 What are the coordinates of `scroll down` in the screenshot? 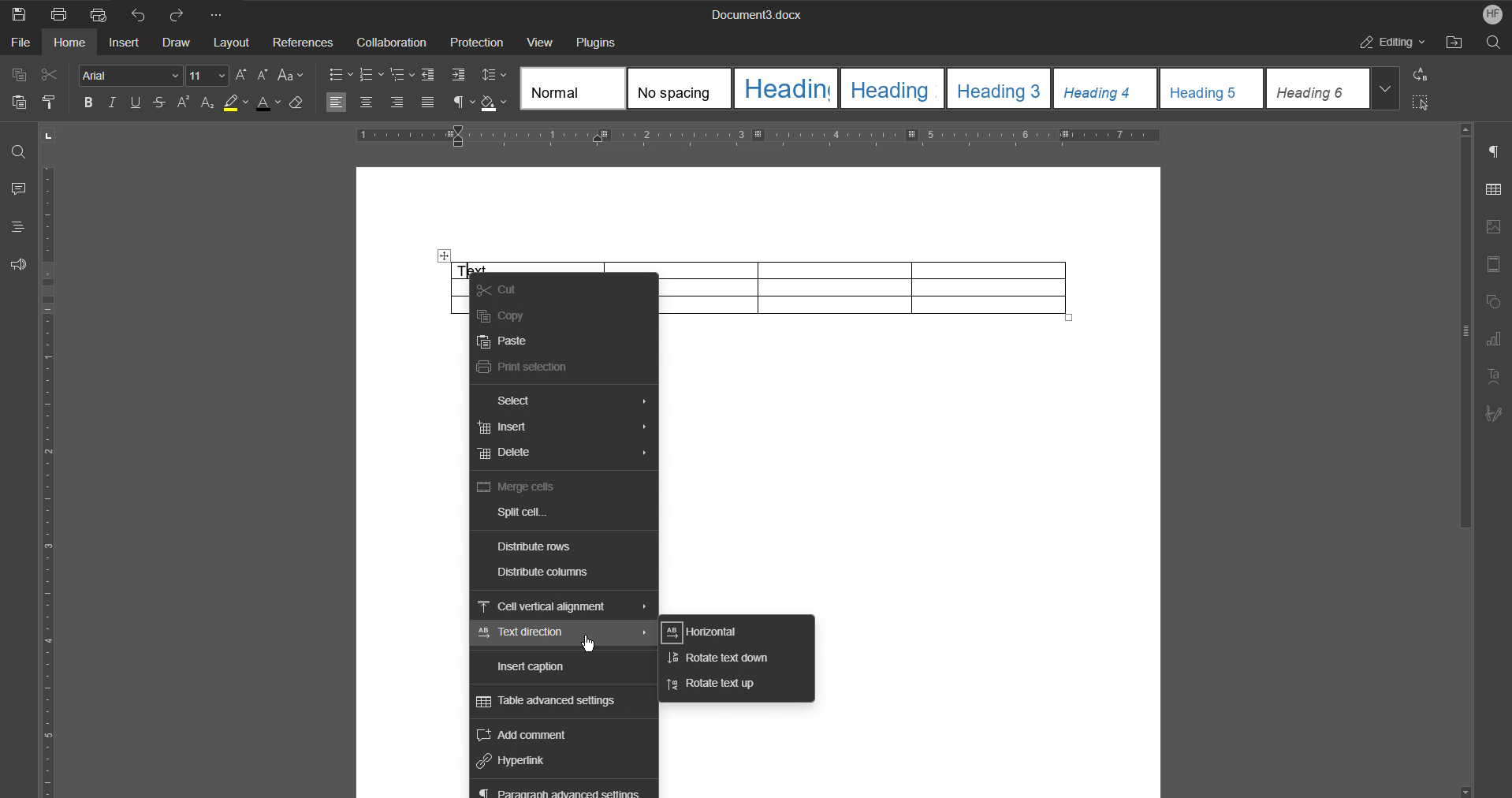 It's located at (1467, 792).